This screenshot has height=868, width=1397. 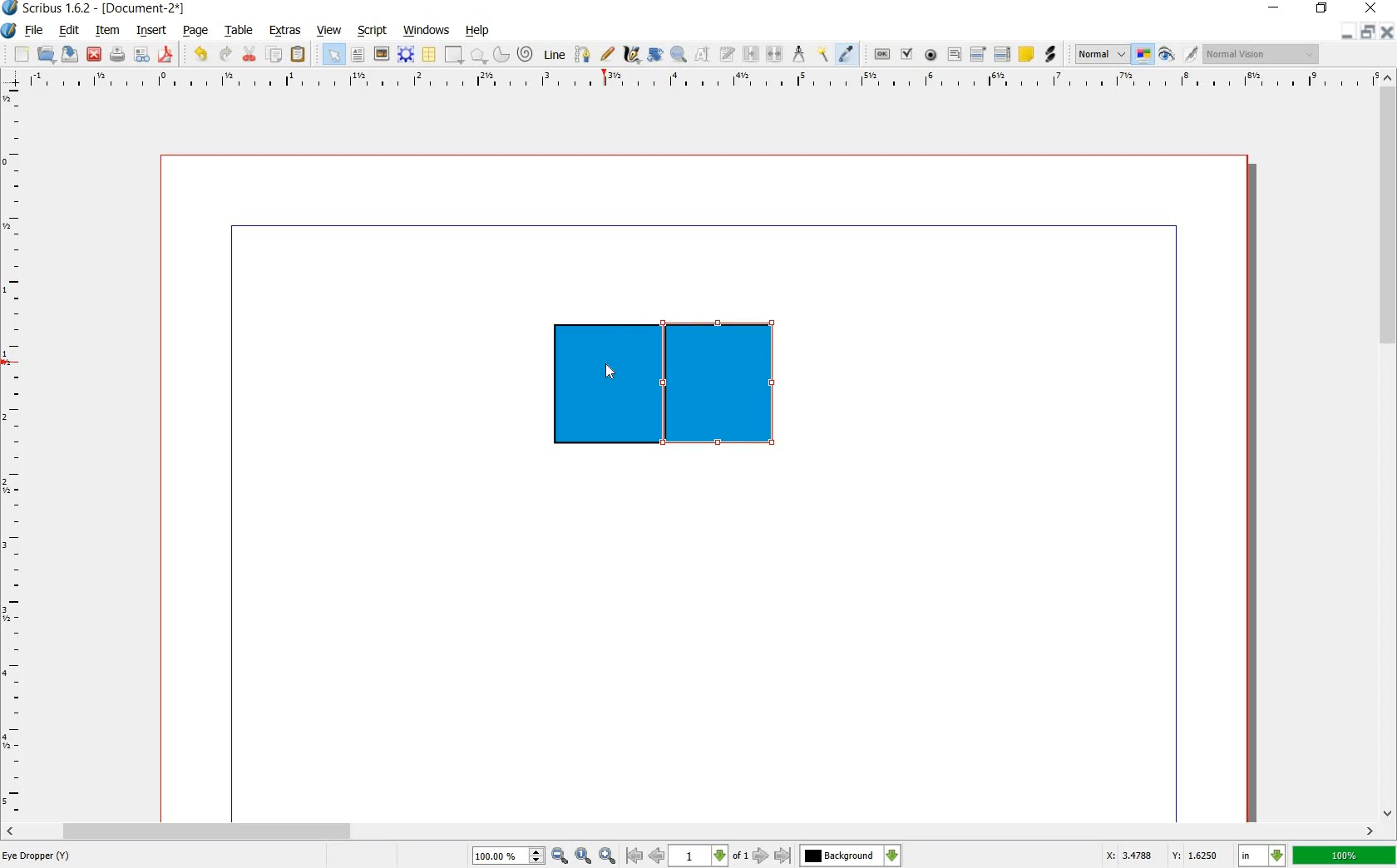 I want to click on go to last page, so click(x=784, y=856).